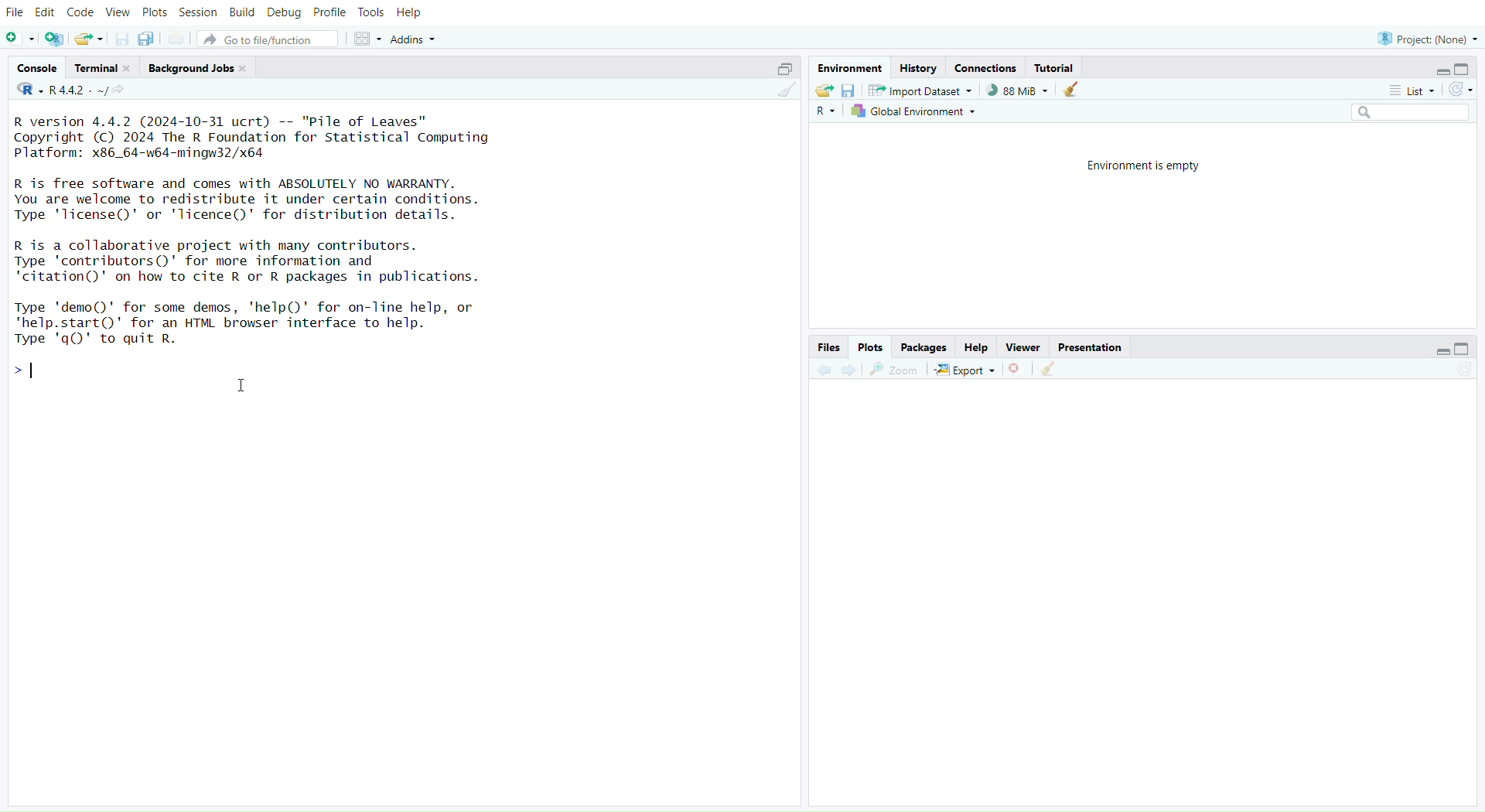 Image resolution: width=1485 pixels, height=812 pixels. I want to click on collapse, so click(1467, 68).